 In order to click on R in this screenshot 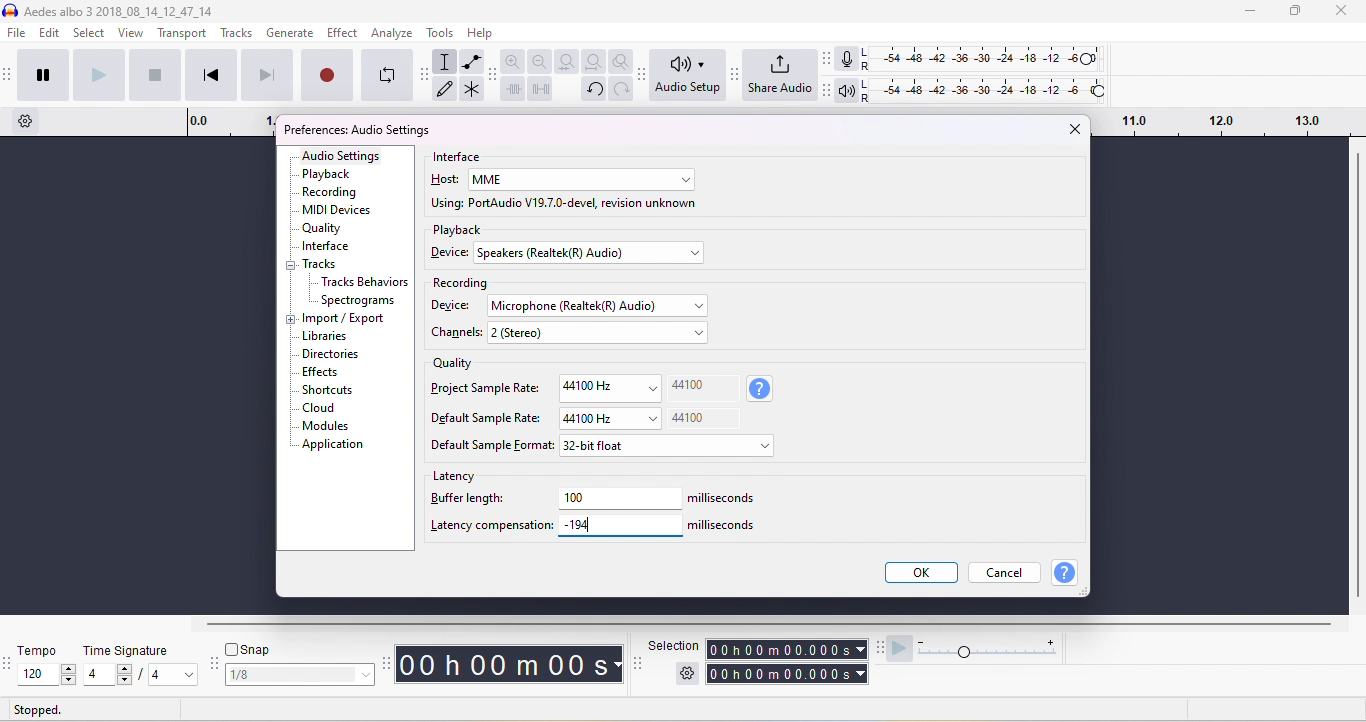, I will do `click(867, 68)`.